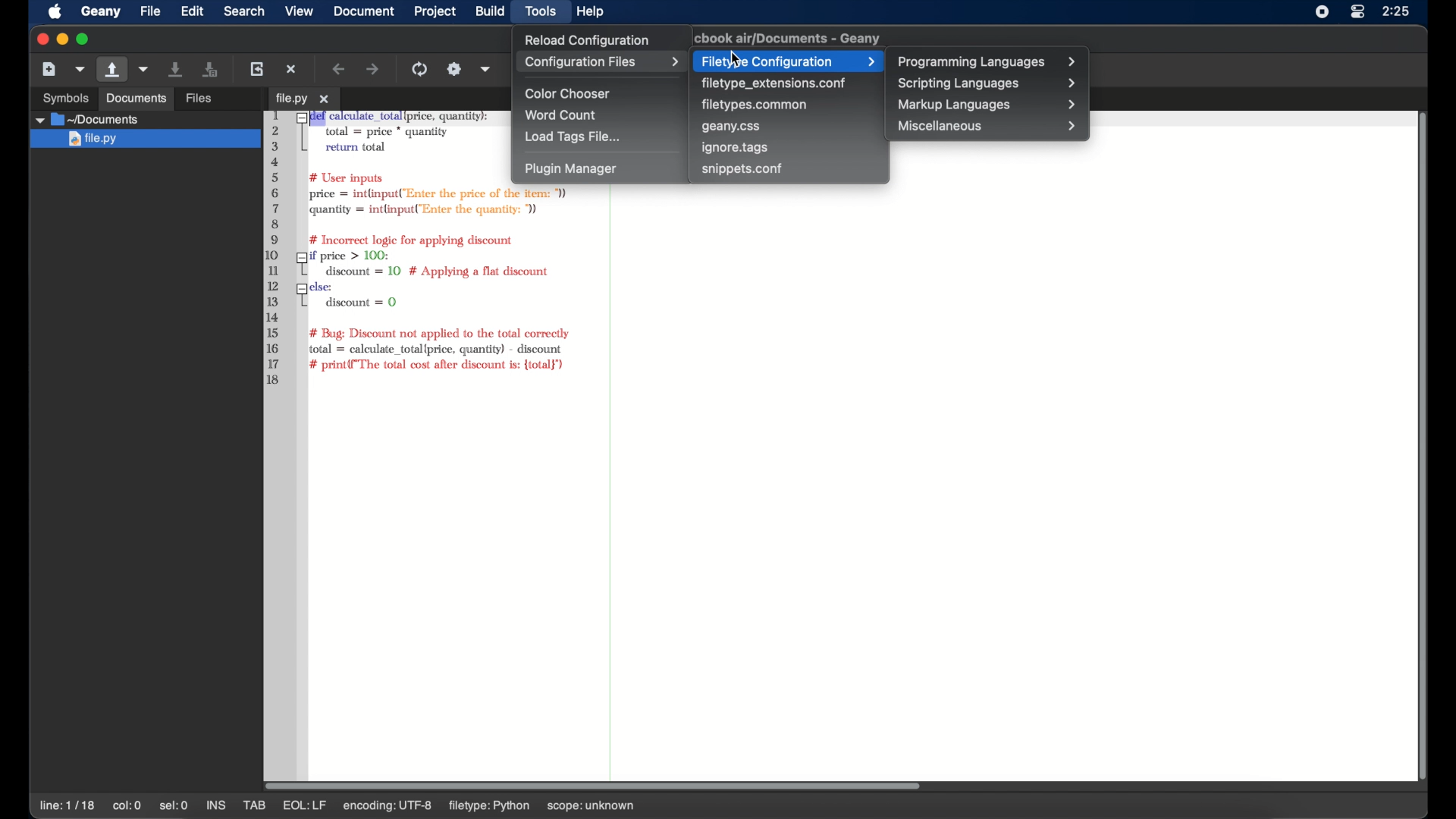 Image resolution: width=1456 pixels, height=819 pixels. I want to click on geany, so click(101, 12).